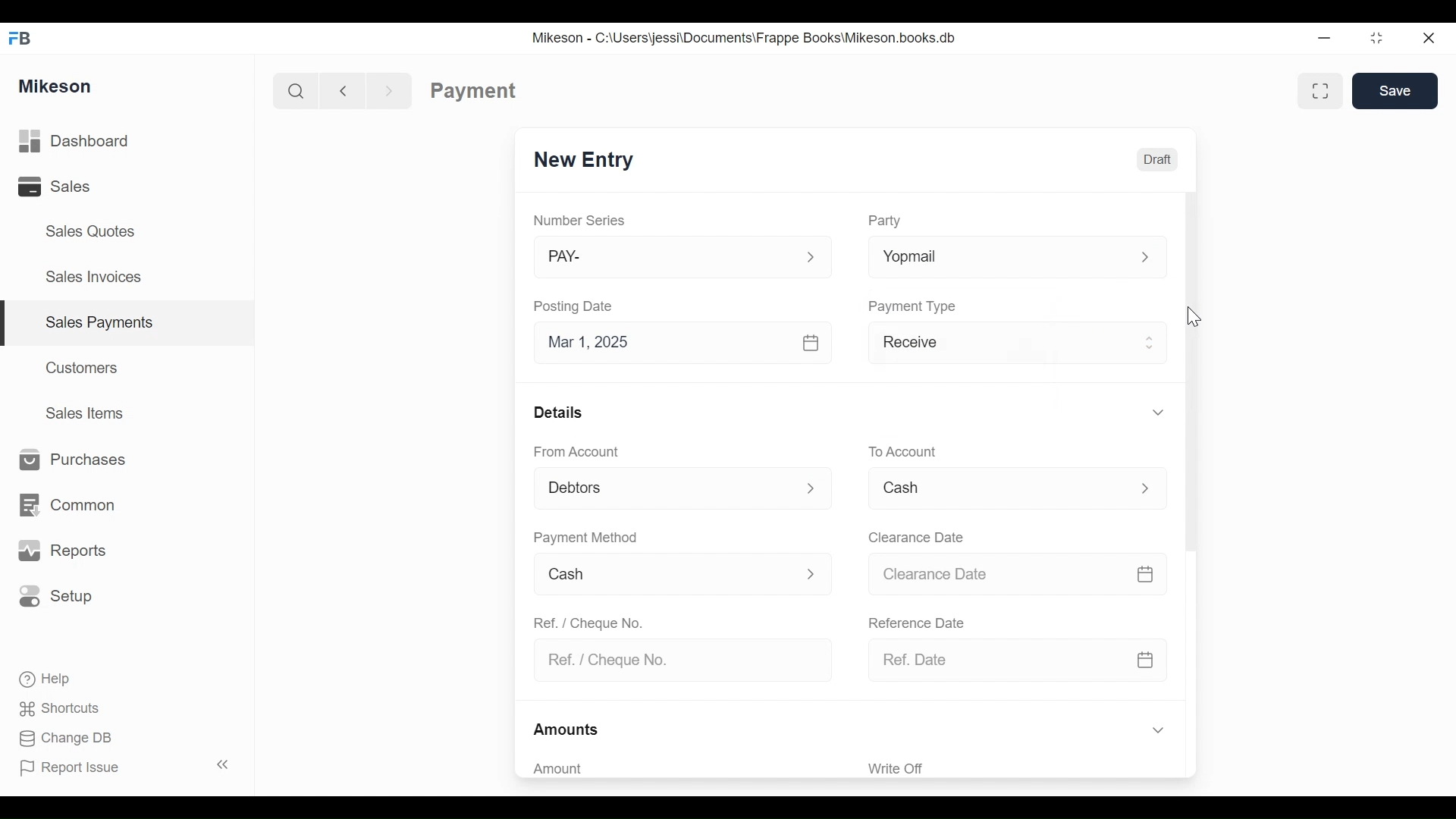 The width and height of the screenshot is (1456, 819). What do you see at coordinates (925, 622) in the screenshot?
I see `Reference date` at bounding box center [925, 622].